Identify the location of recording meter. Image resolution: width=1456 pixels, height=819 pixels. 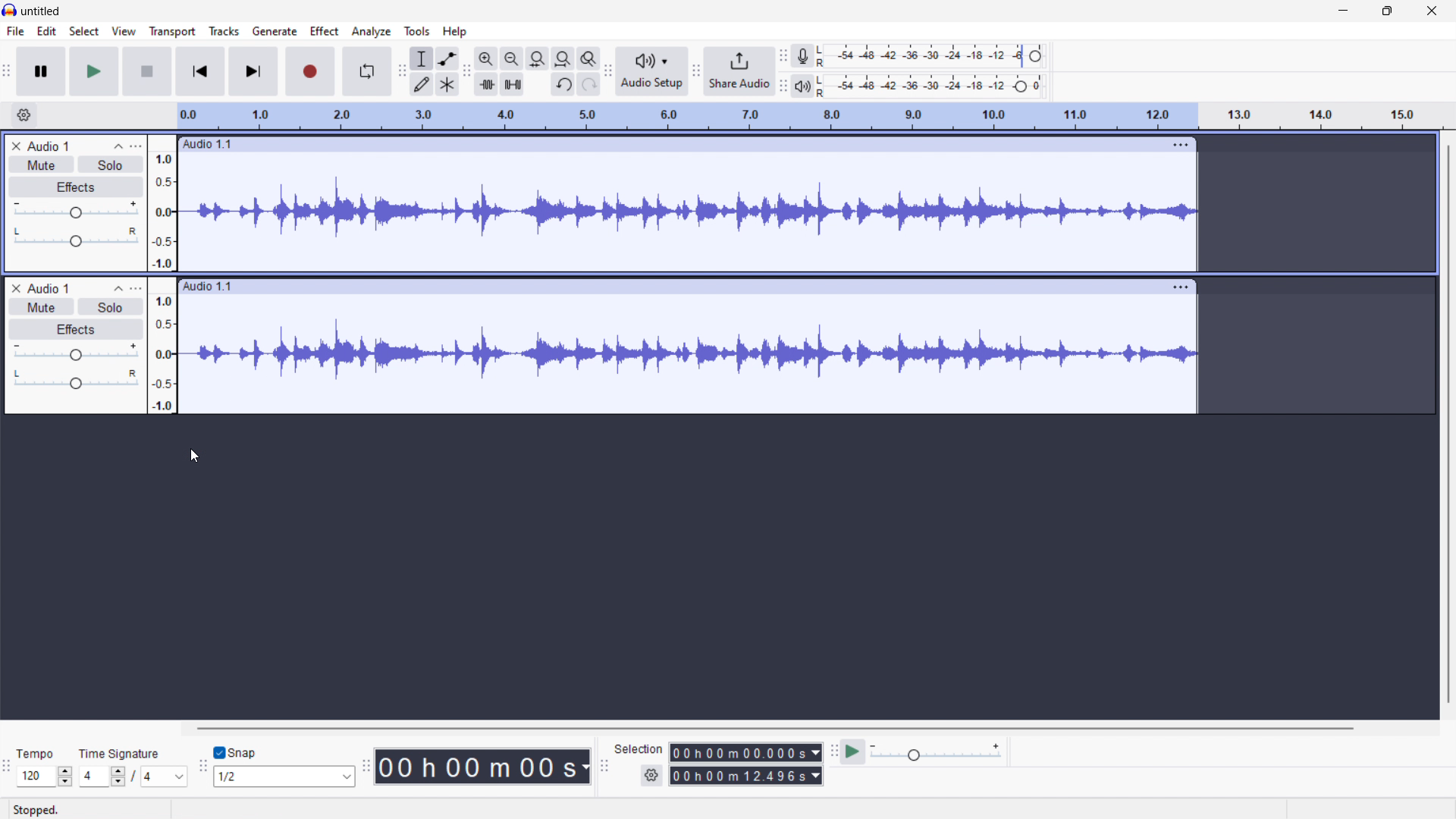
(805, 55).